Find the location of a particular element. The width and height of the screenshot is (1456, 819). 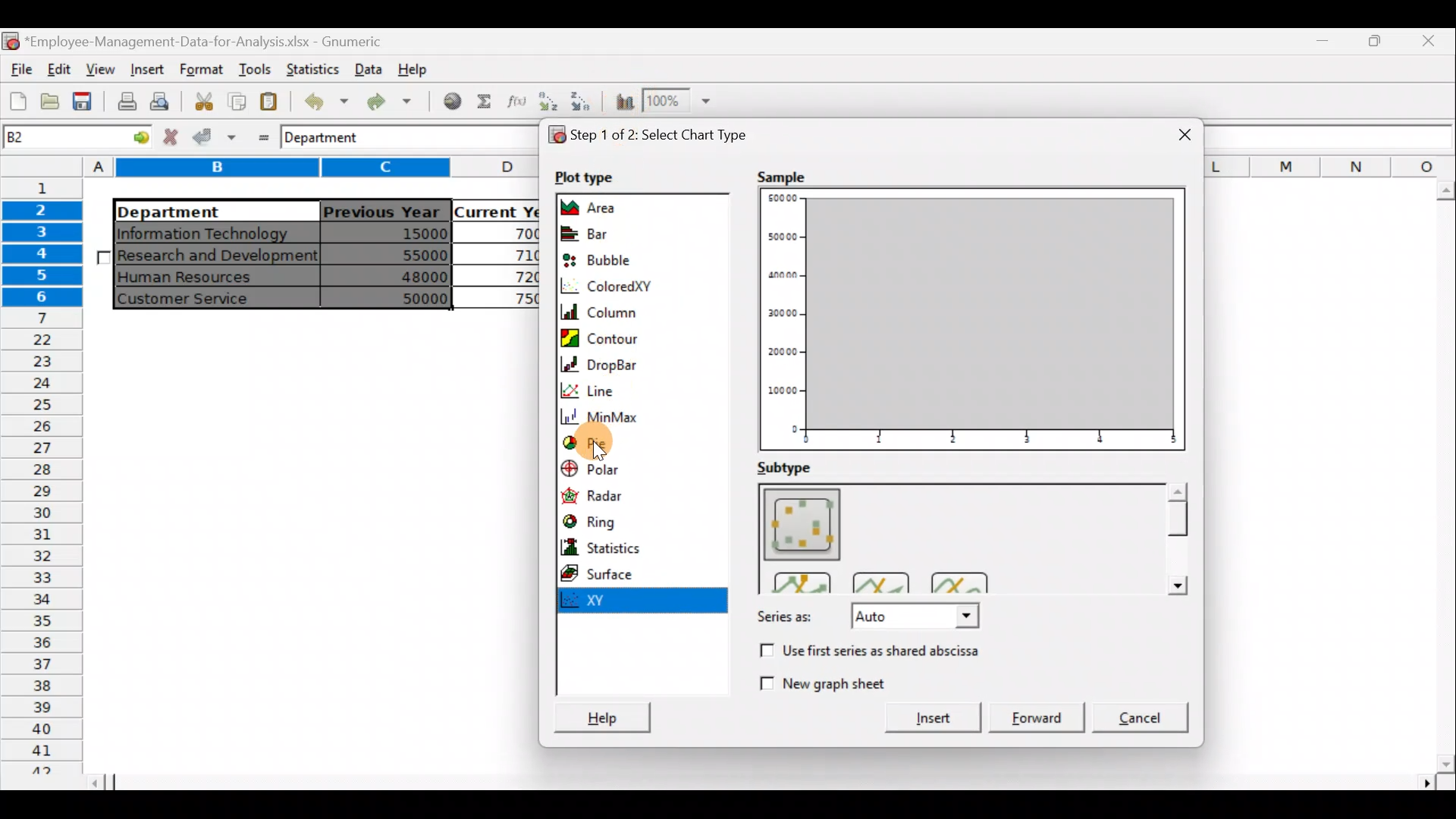

Close is located at coordinates (1429, 43).